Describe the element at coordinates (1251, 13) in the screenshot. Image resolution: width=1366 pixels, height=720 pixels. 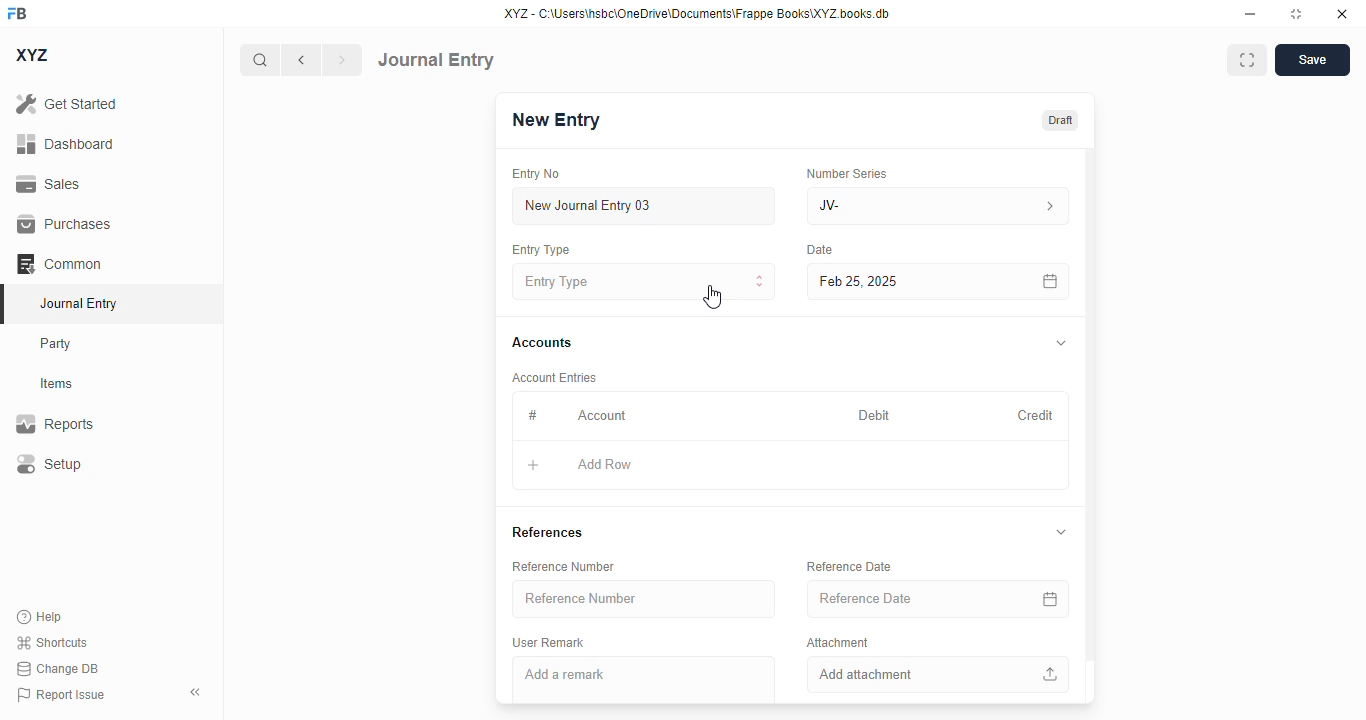
I see `minimize` at that location.